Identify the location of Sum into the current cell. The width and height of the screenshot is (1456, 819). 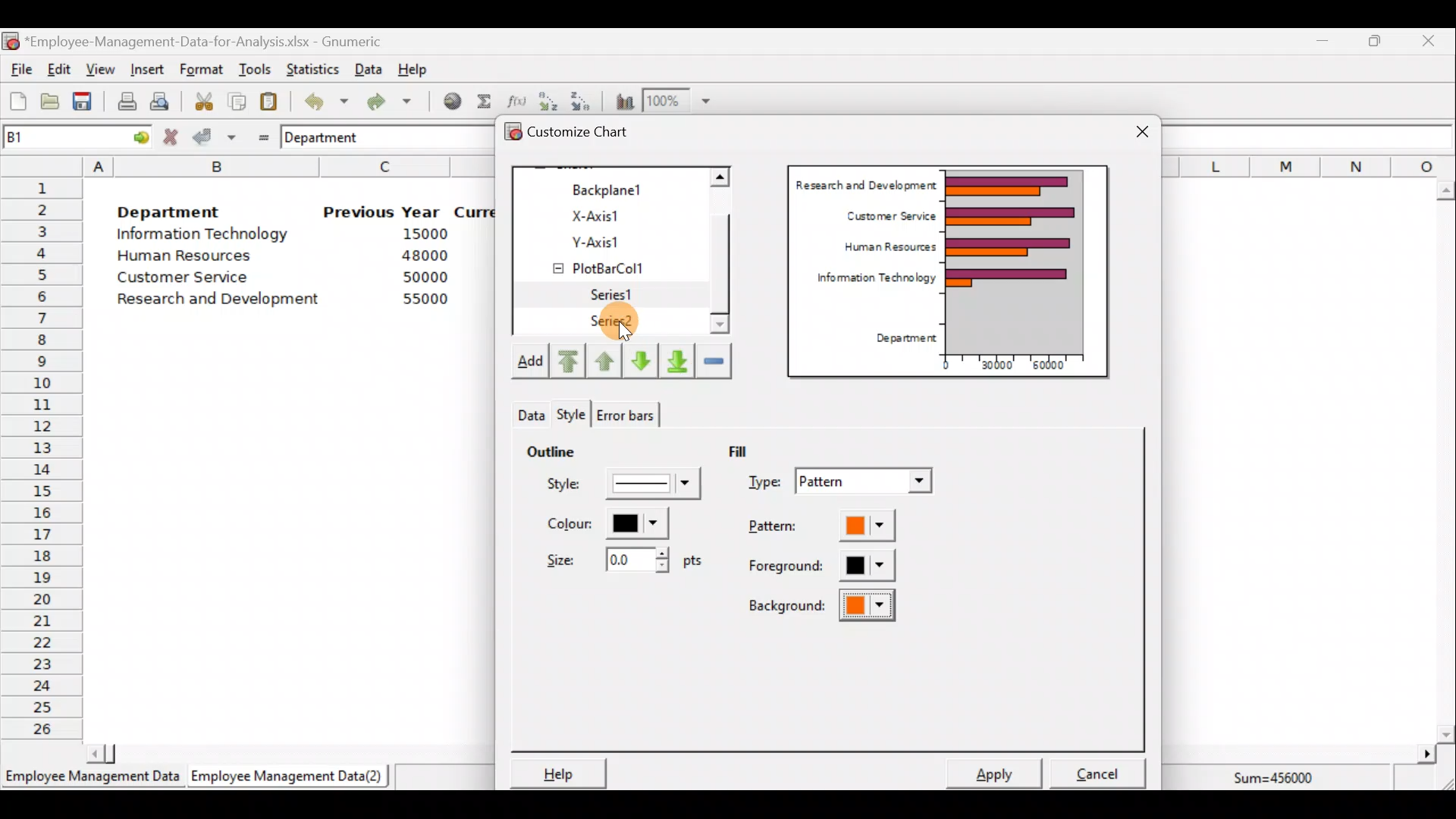
(482, 101).